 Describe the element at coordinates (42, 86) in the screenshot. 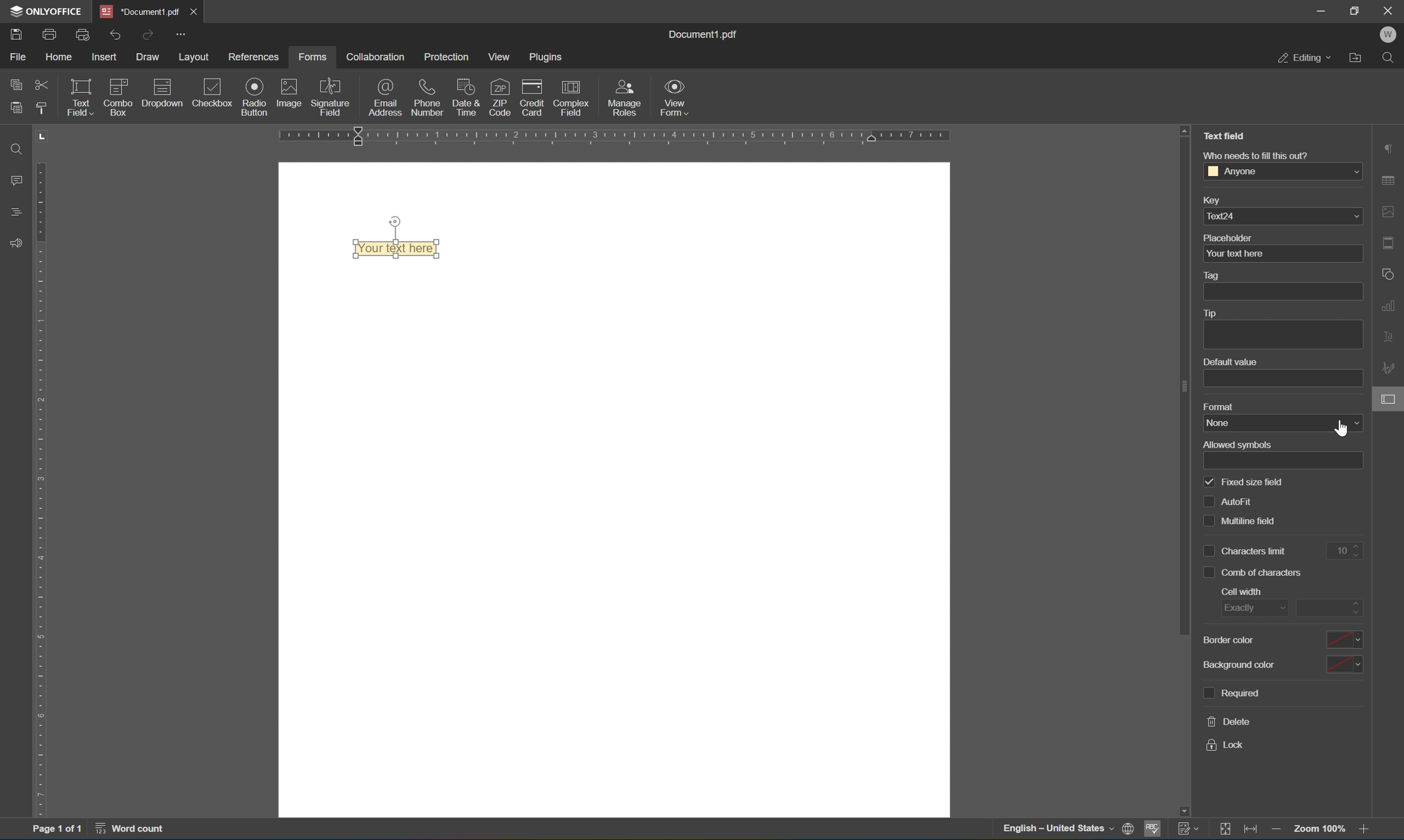

I see `cut` at that location.